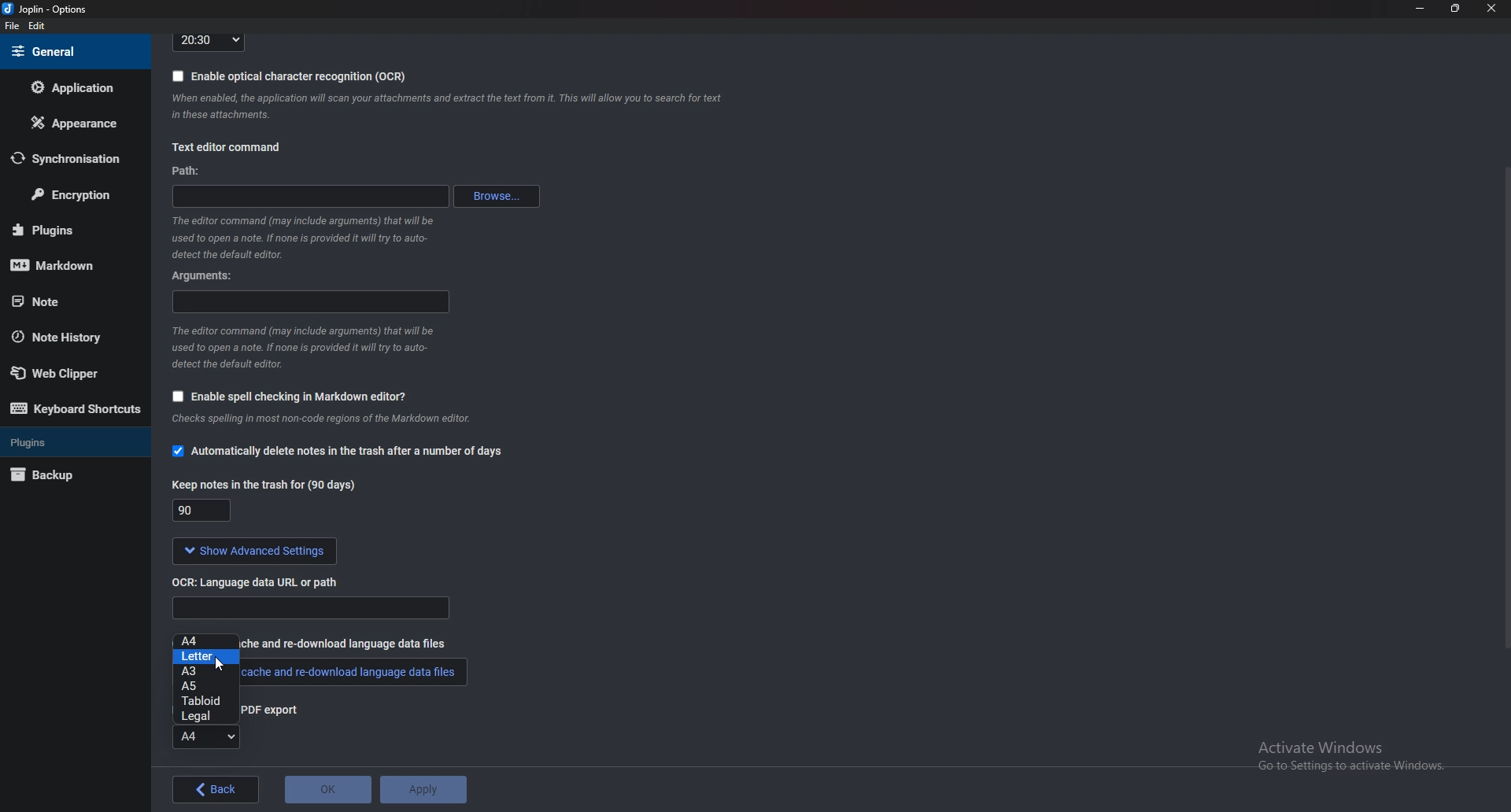 The height and width of the screenshot is (812, 1511). I want to click on a4, so click(206, 739).